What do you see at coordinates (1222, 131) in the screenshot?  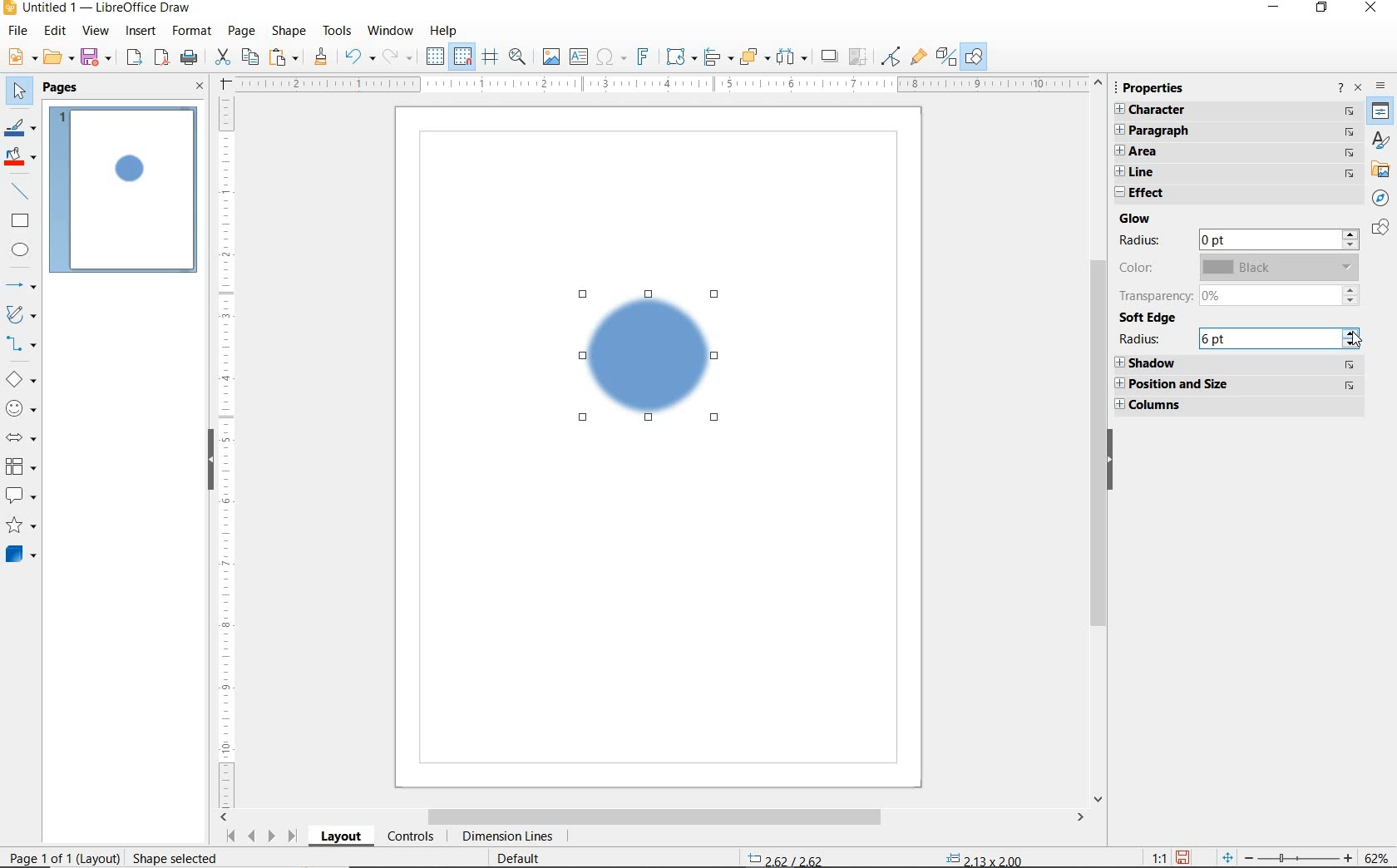 I see `PARAGRAPH` at bounding box center [1222, 131].